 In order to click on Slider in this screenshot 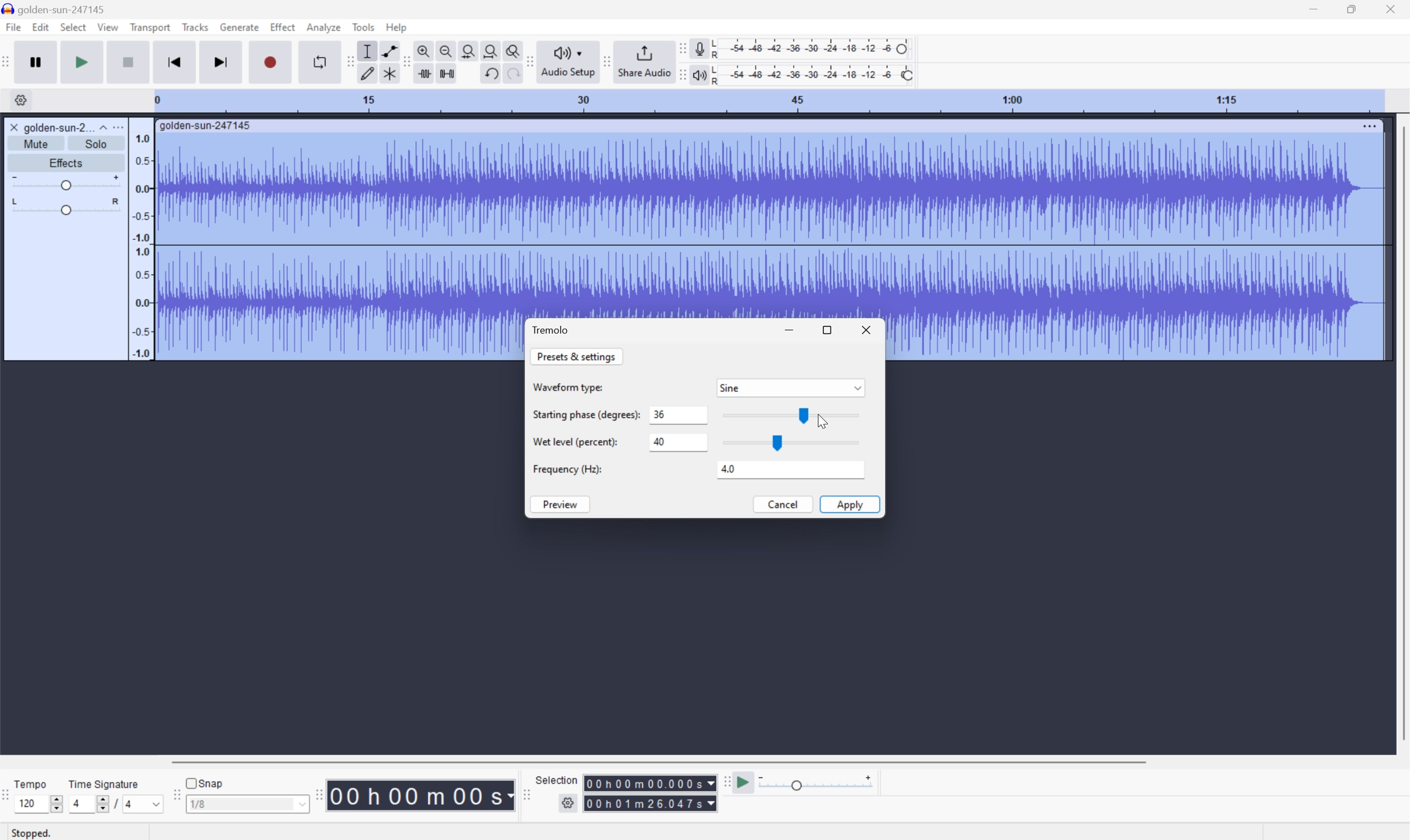, I will do `click(62, 207)`.